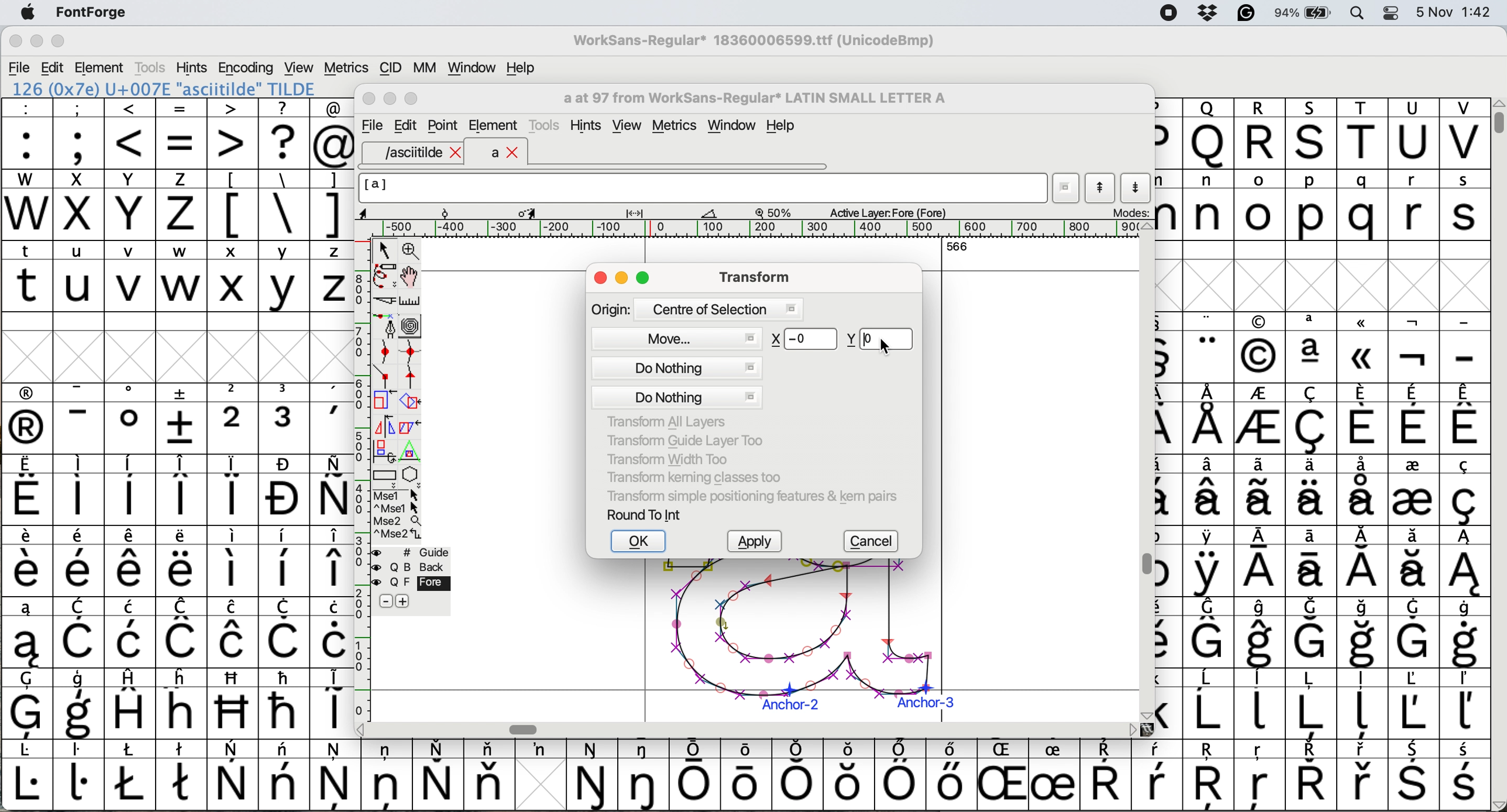  What do you see at coordinates (1204, 13) in the screenshot?
I see `dropbox` at bounding box center [1204, 13].